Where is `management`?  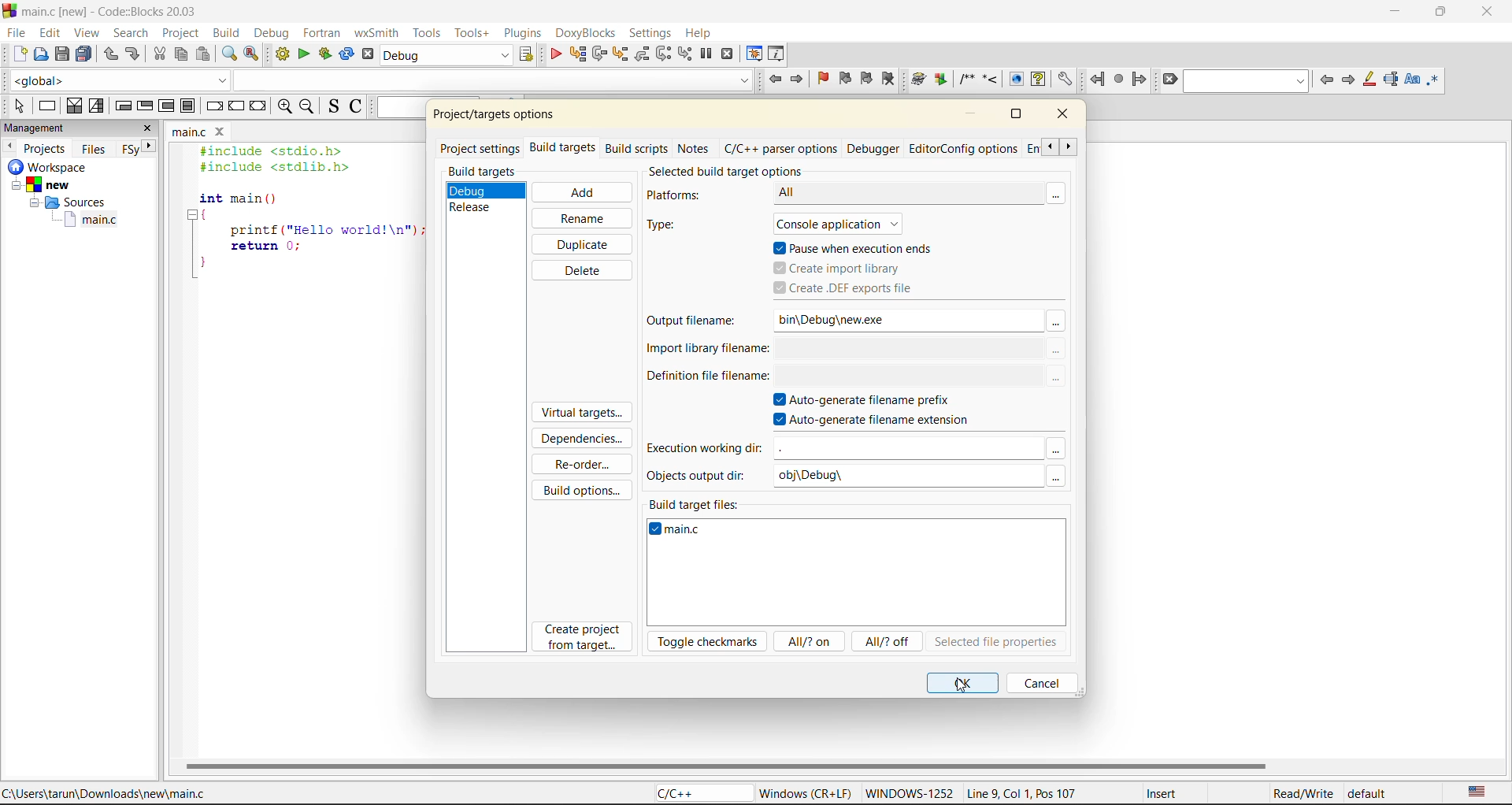
management is located at coordinates (37, 128).